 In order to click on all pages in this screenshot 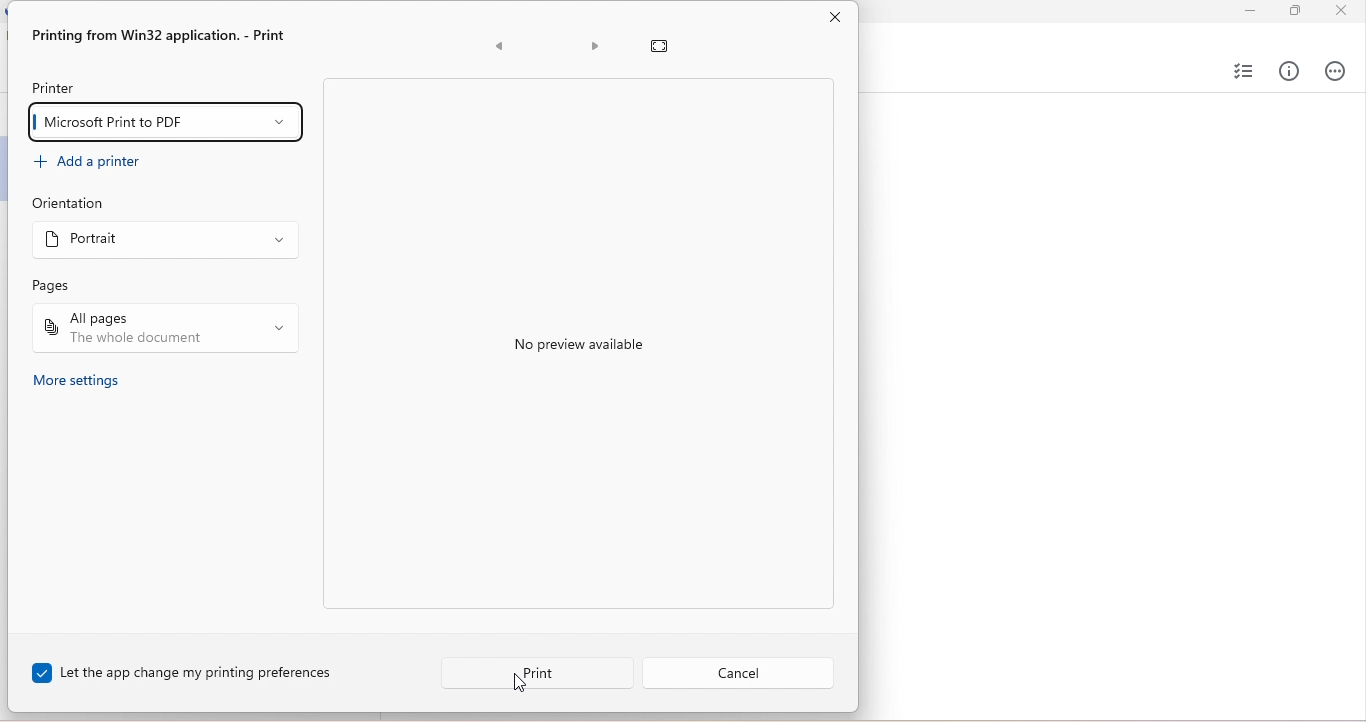, I will do `click(170, 329)`.